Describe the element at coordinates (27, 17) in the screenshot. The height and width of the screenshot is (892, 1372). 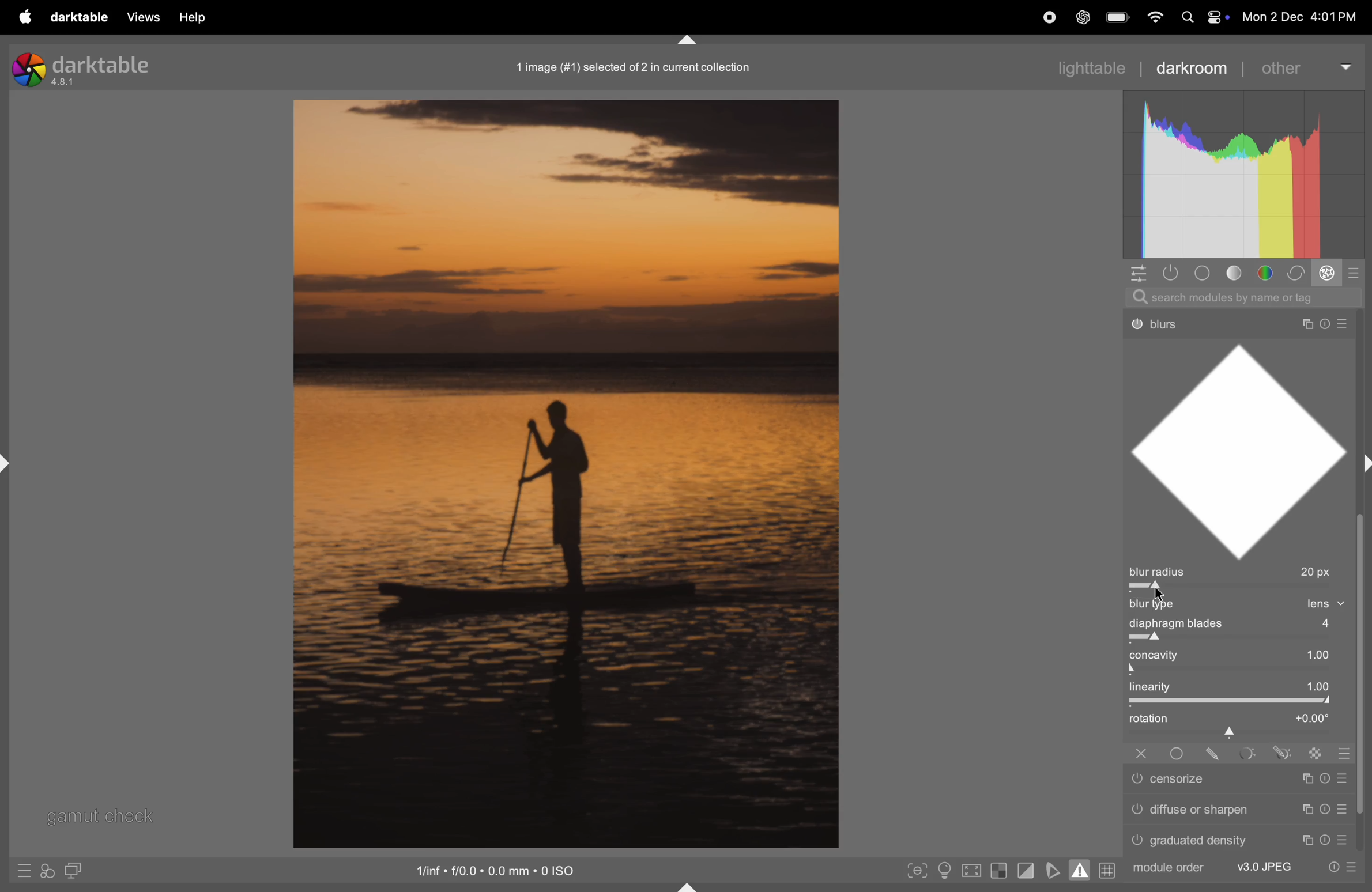
I see `apple menu` at that location.